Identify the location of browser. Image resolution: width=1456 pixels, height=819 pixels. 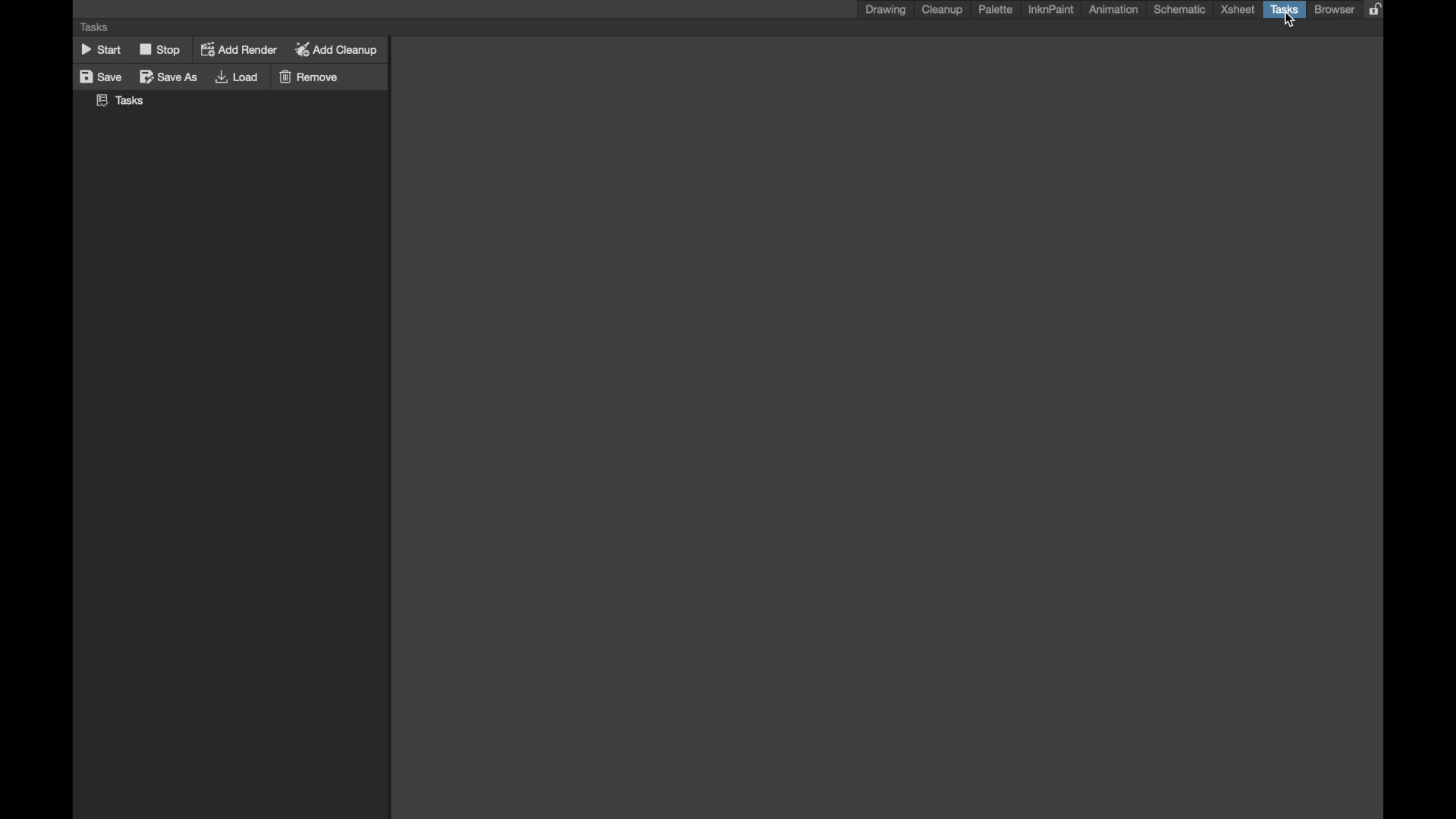
(1335, 10).